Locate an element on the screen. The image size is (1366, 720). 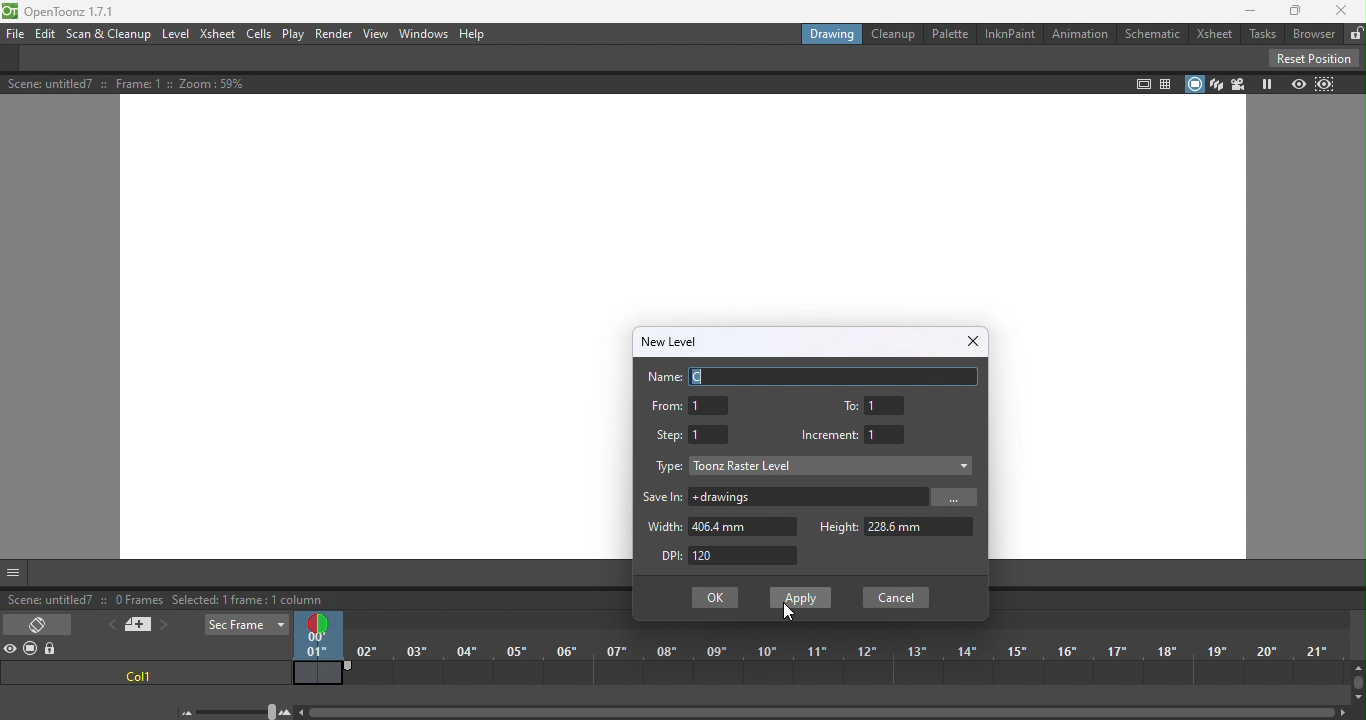
Height is located at coordinates (895, 527).